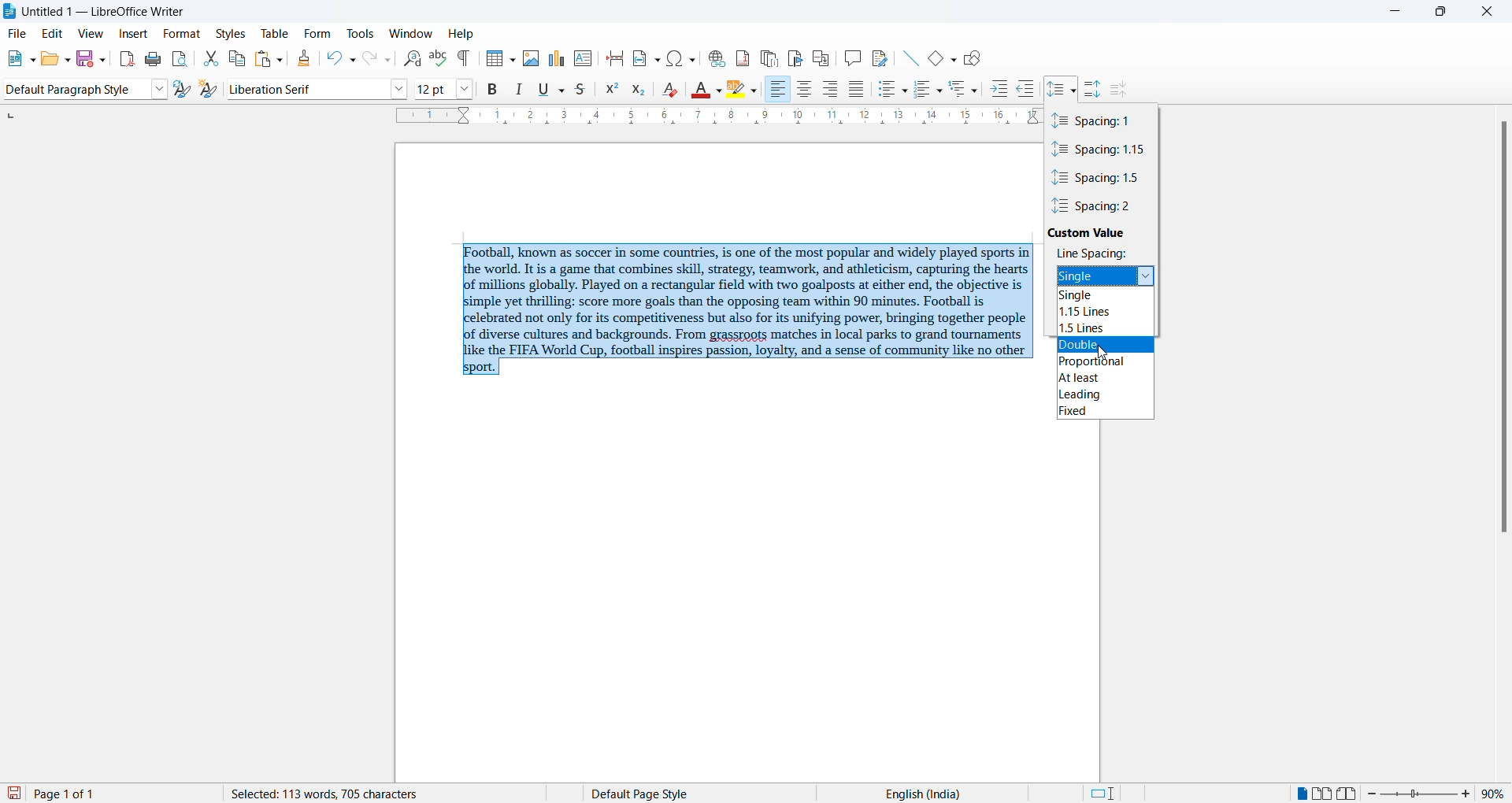 The image size is (1512, 803). Describe the element at coordinates (955, 91) in the screenshot. I see `outline format ` at that location.